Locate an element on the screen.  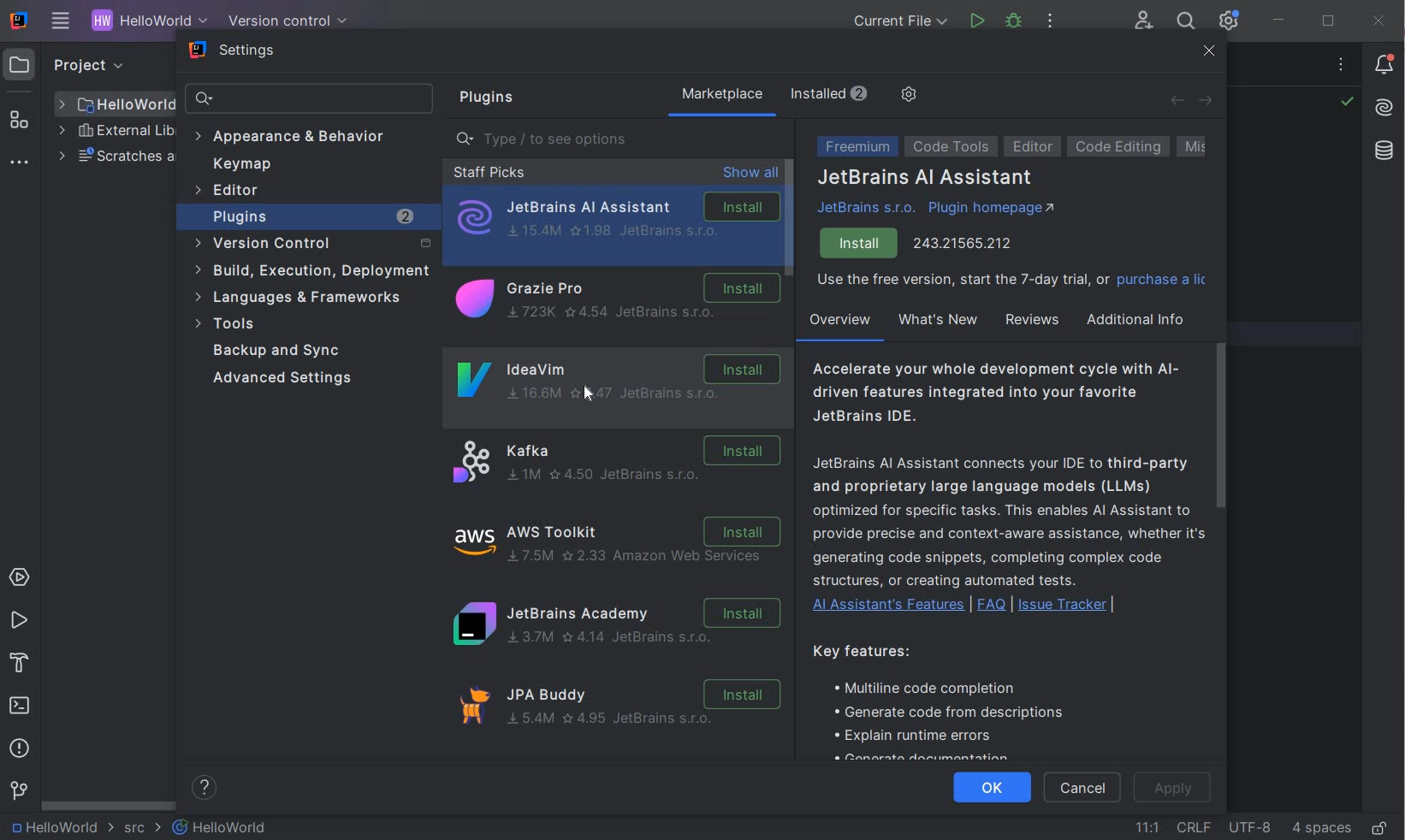
IDE AND PROJECT SETTINGS is located at coordinates (1227, 21).